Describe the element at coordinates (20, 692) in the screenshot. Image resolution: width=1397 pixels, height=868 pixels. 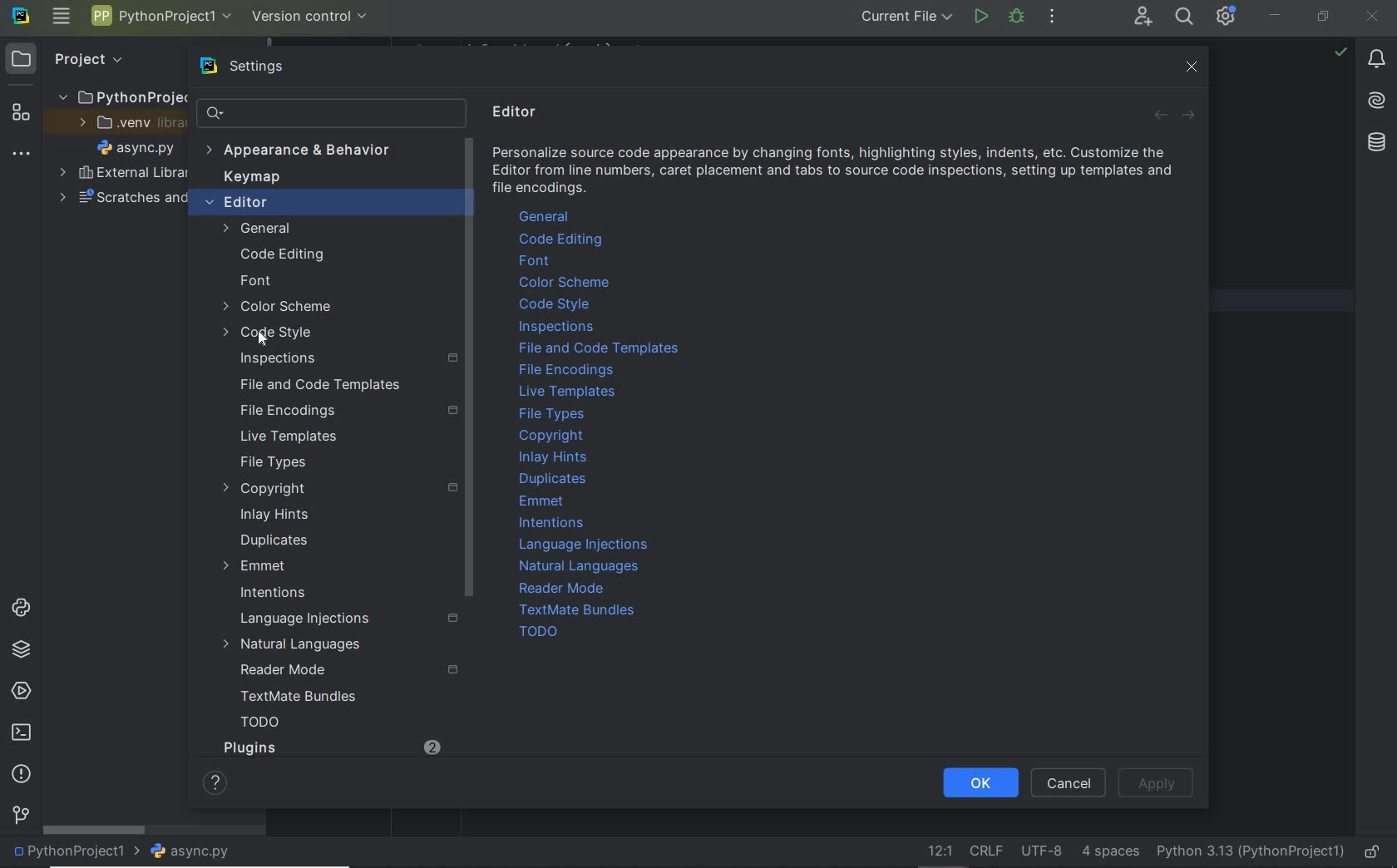
I see `services` at that location.